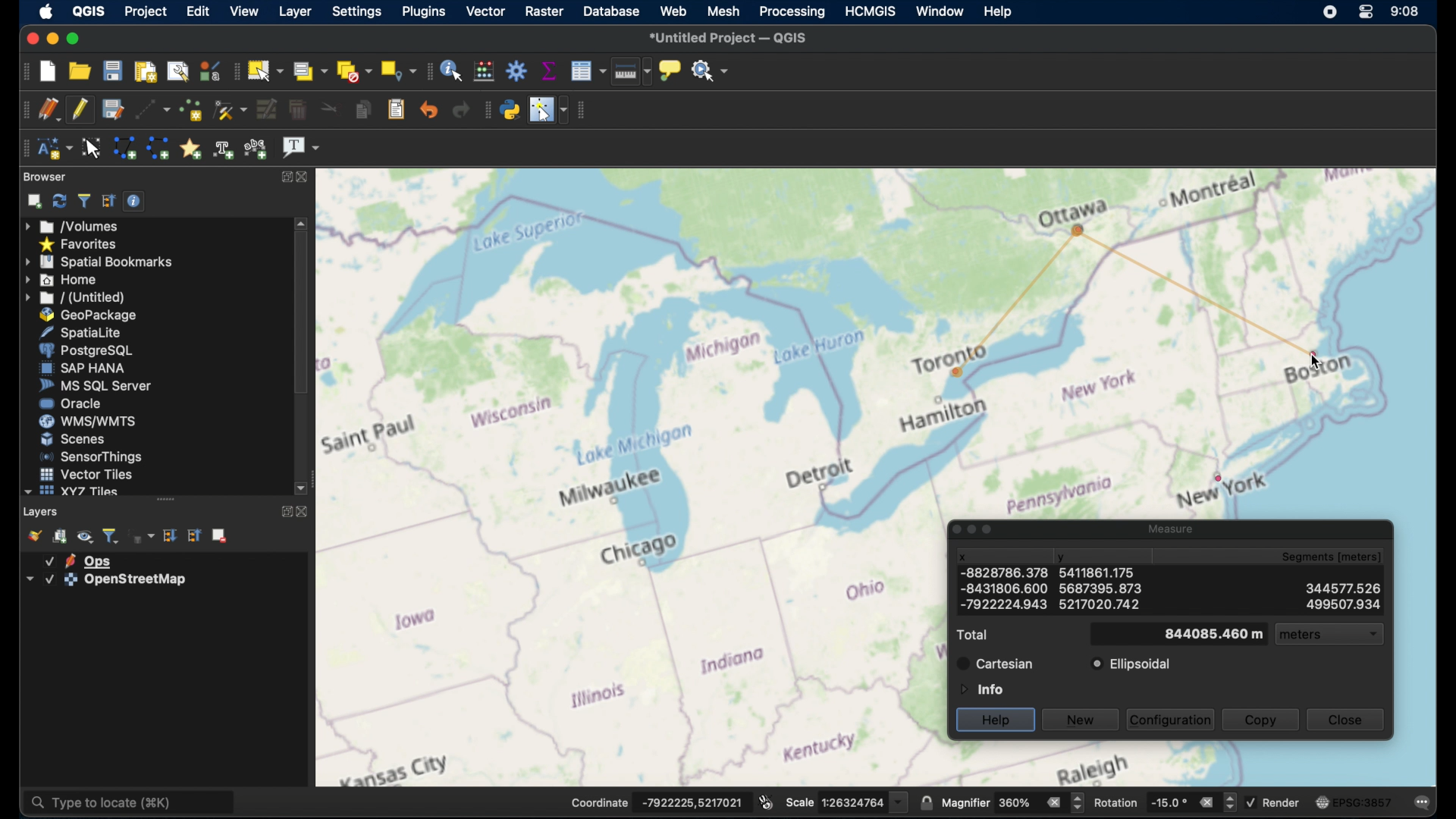  I want to click on settings, so click(356, 13).